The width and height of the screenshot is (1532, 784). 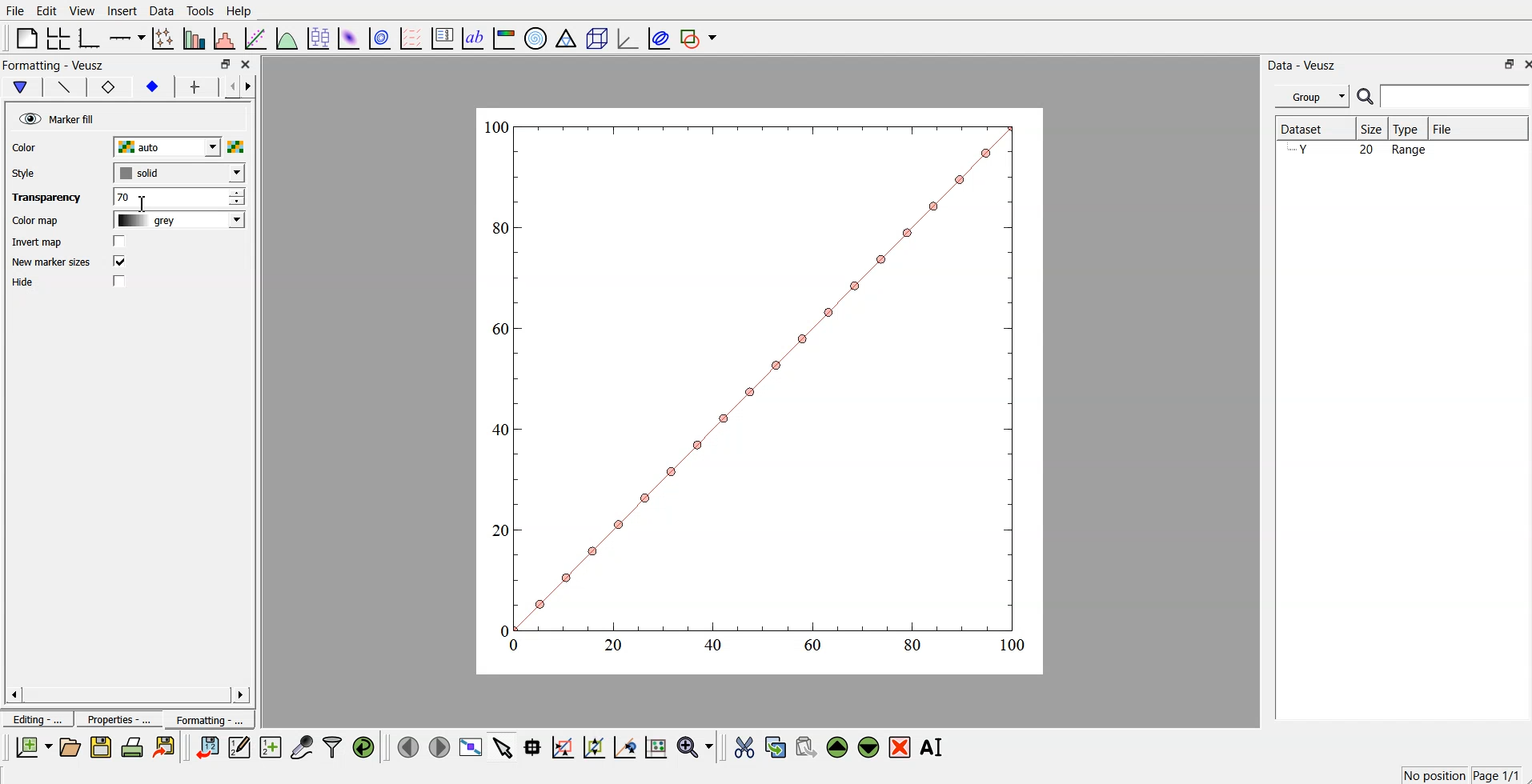 What do you see at coordinates (596, 746) in the screenshot?
I see `click to zoom` at bounding box center [596, 746].